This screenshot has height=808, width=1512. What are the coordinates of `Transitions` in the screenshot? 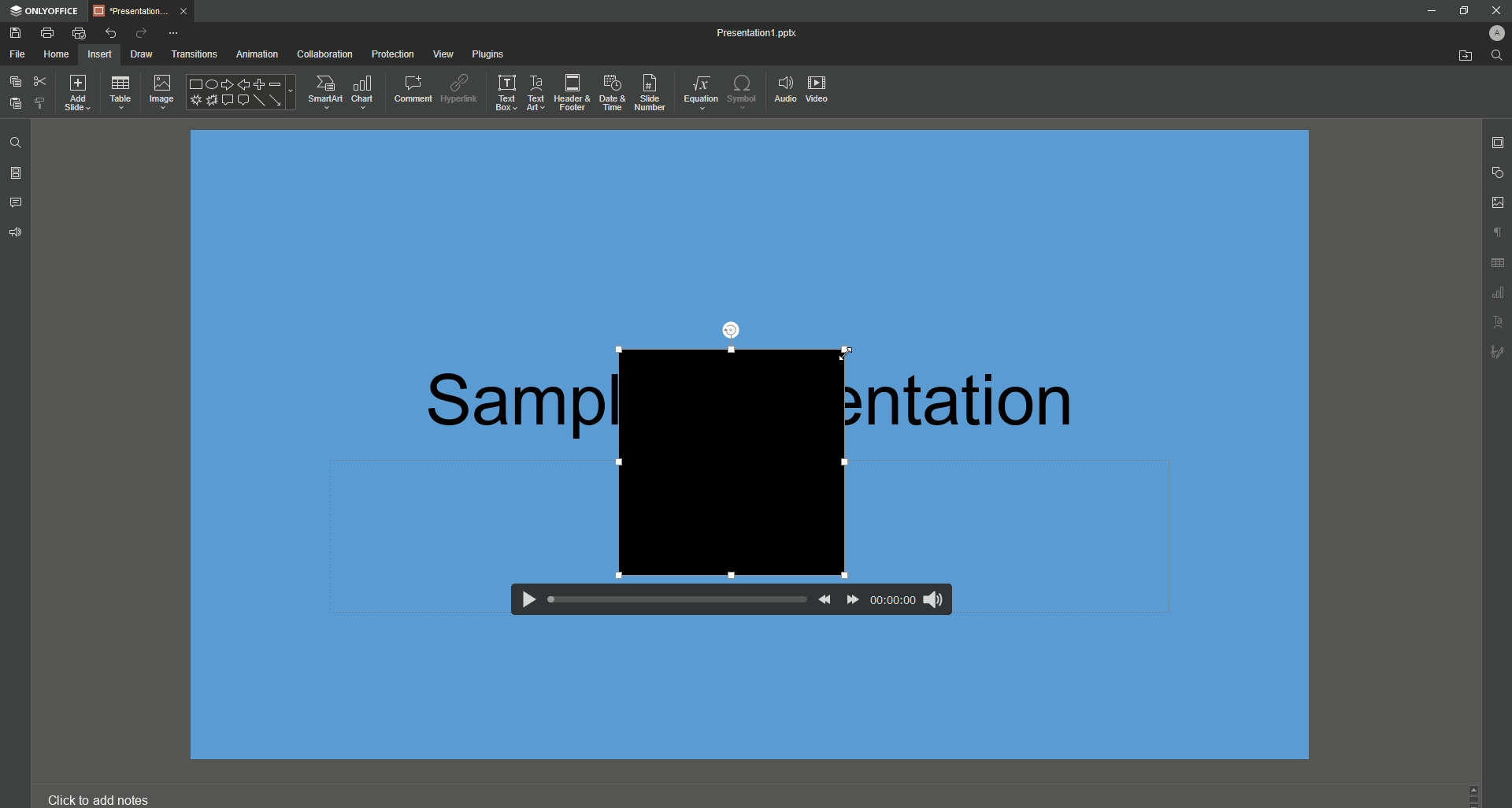 It's located at (193, 55).